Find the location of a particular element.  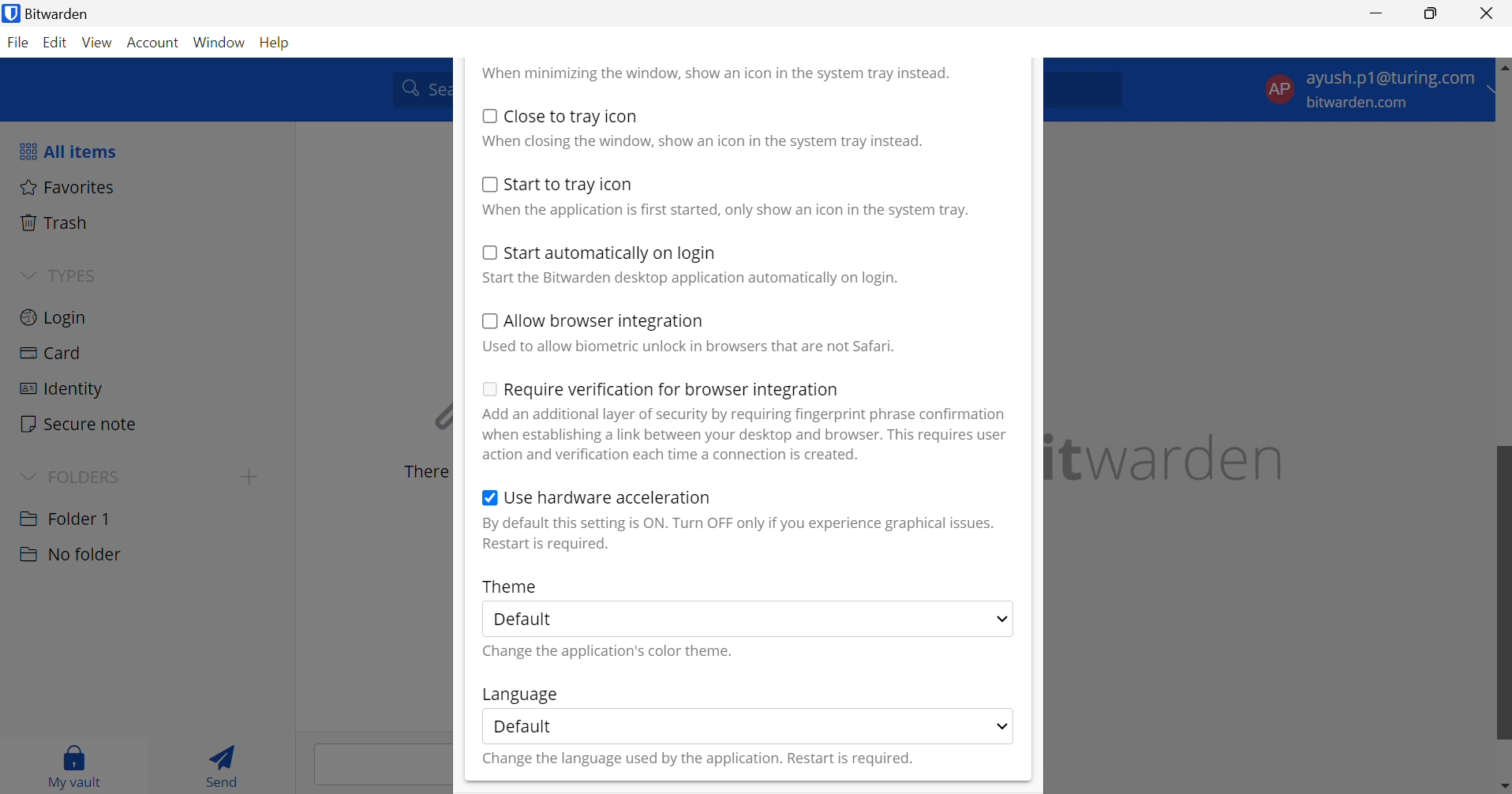

bitwarden logo is located at coordinates (9, 15).